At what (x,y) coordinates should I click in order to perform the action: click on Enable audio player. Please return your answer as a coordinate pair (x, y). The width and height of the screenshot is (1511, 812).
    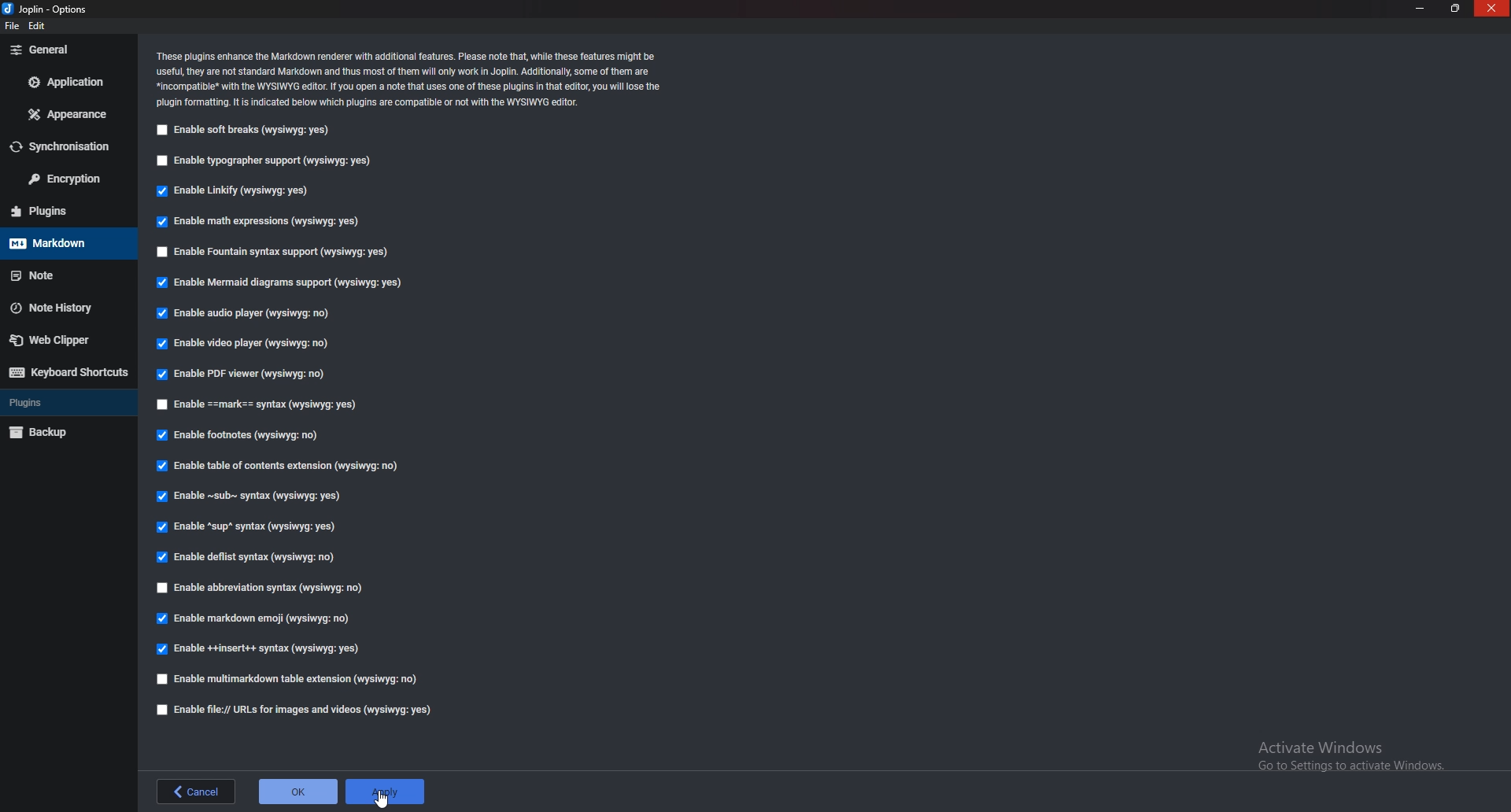
    Looking at the image, I should click on (249, 312).